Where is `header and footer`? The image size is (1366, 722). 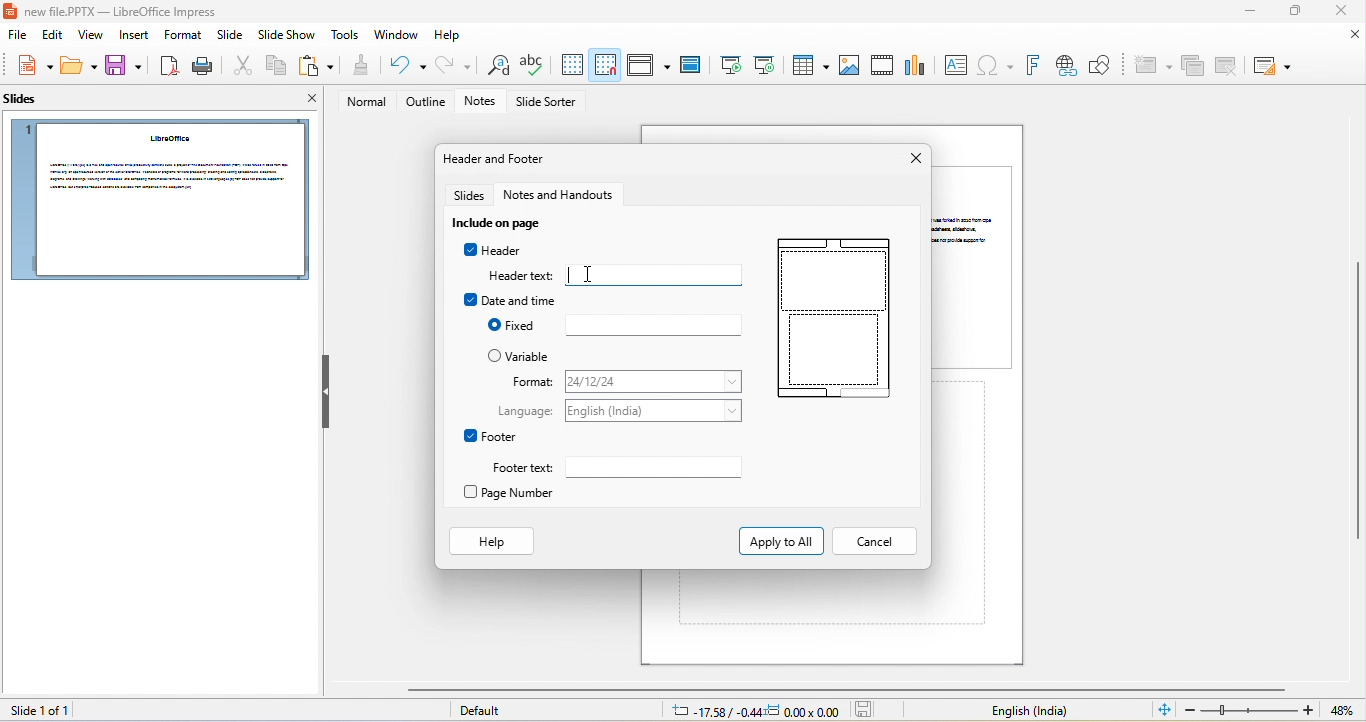
header and footer is located at coordinates (497, 159).